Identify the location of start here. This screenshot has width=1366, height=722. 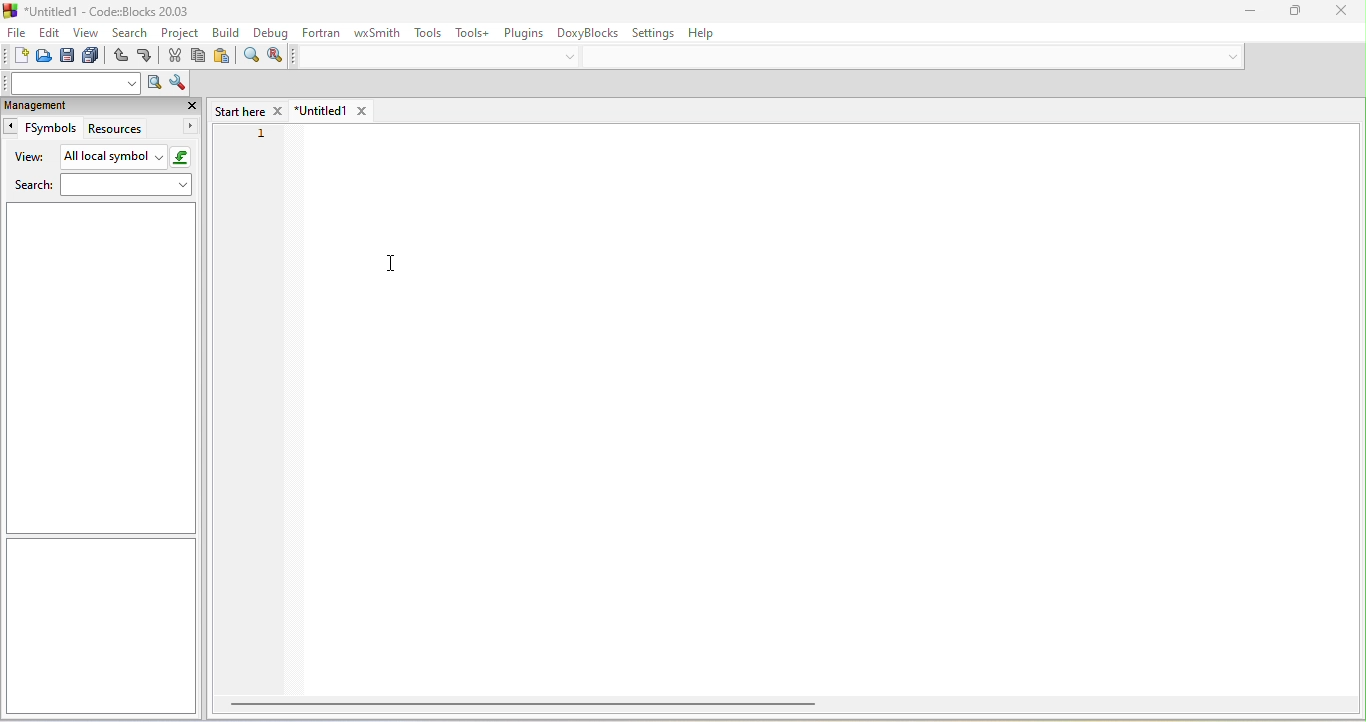
(247, 109).